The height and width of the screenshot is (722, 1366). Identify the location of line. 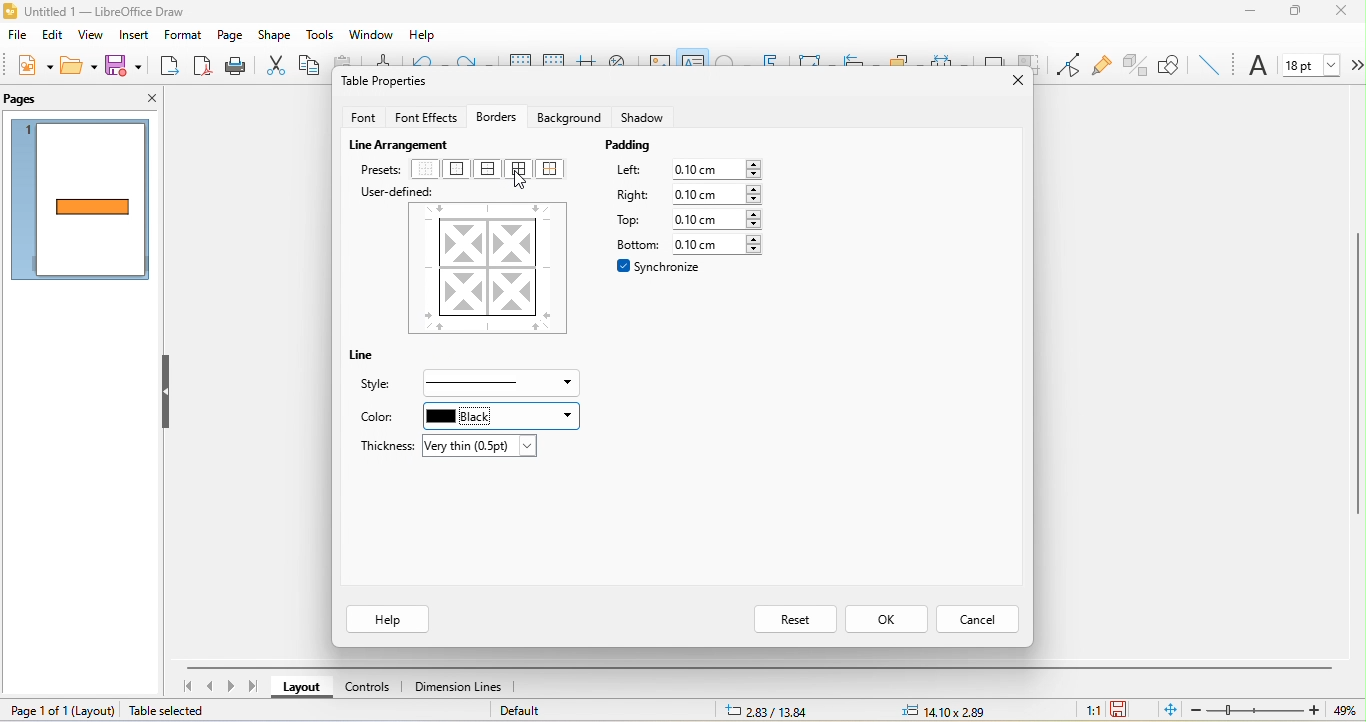
(368, 357).